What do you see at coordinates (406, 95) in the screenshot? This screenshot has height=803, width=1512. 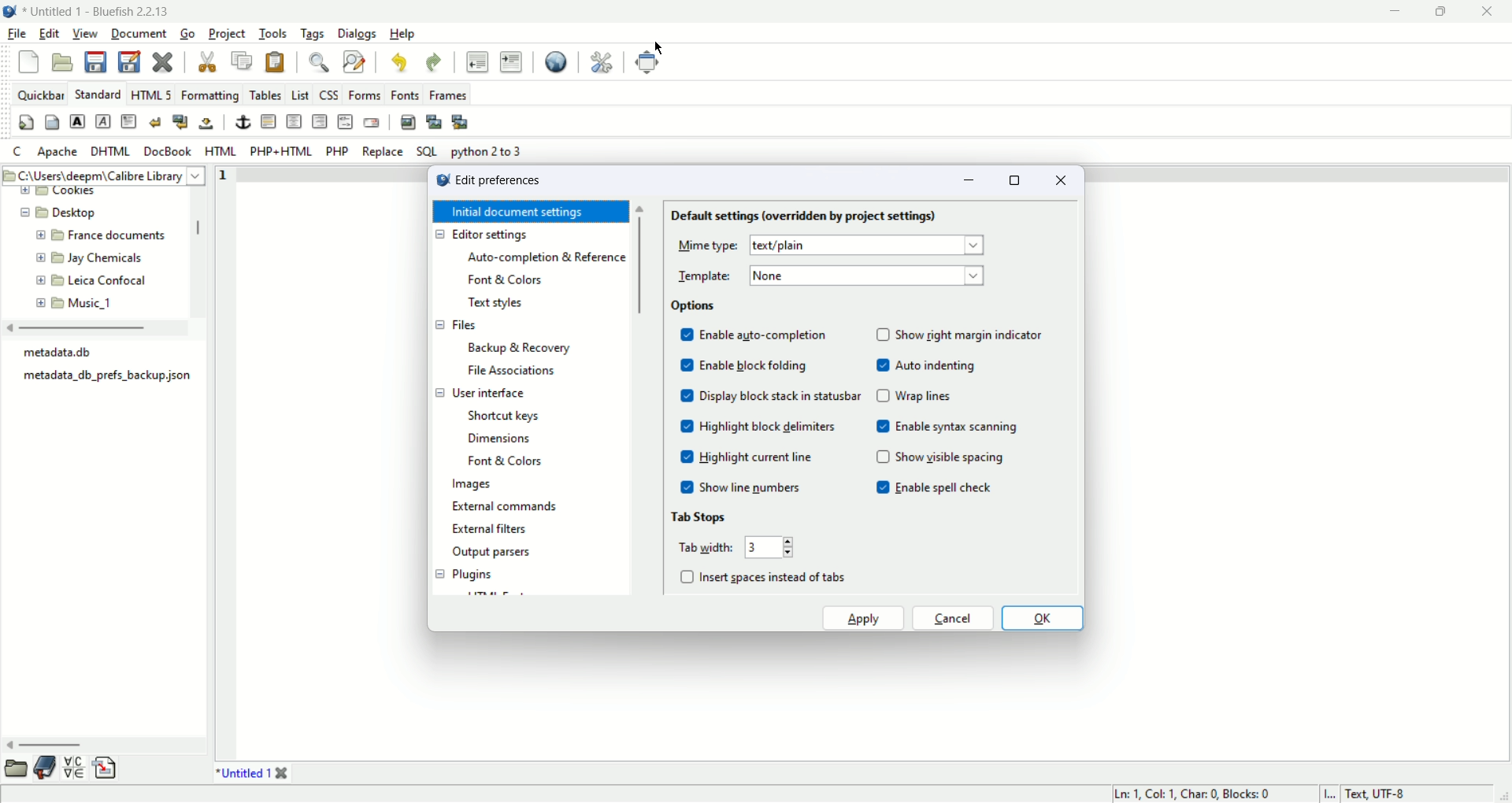 I see `Fonts` at bounding box center [406, 95].